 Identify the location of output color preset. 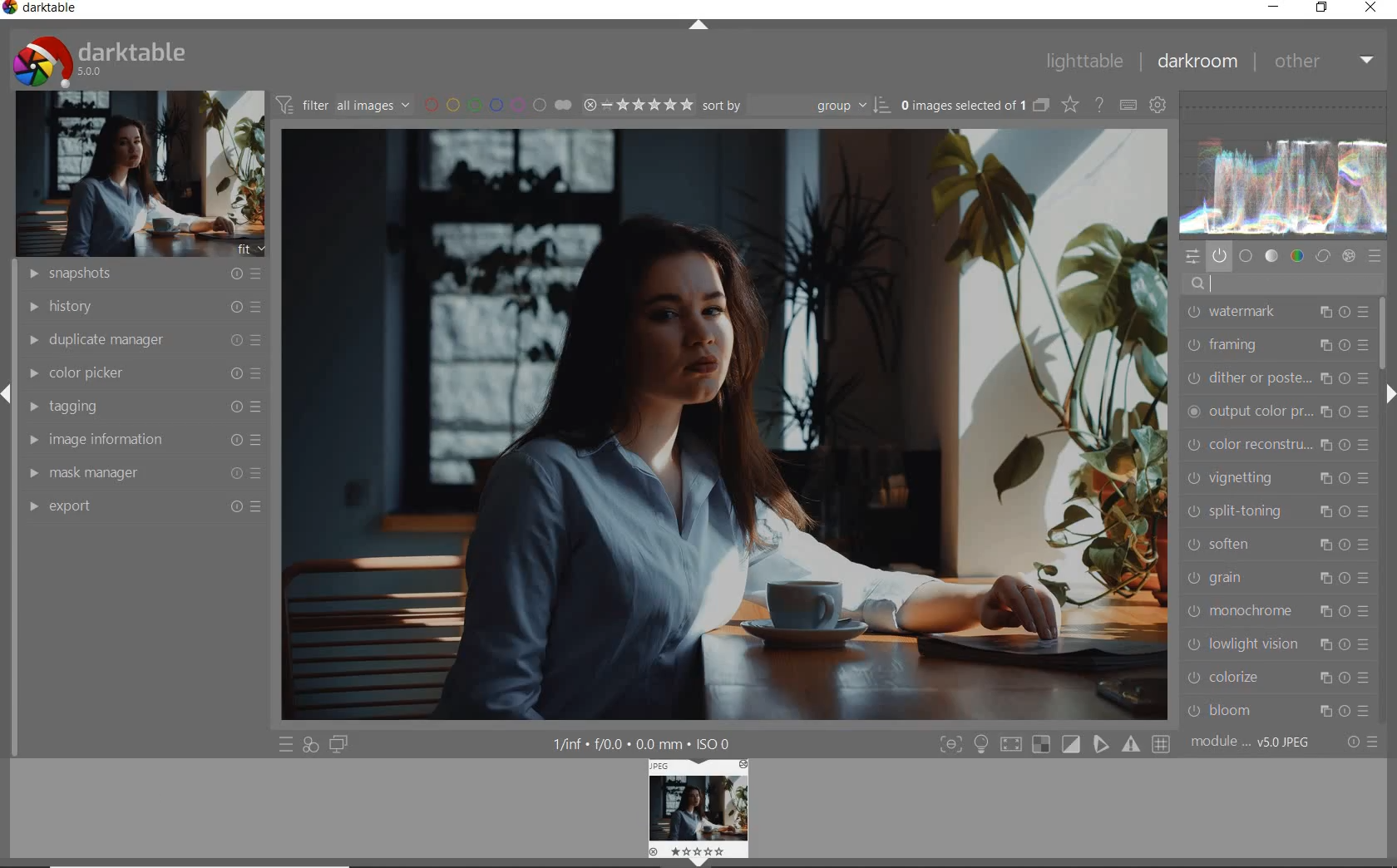
(1279, 412).